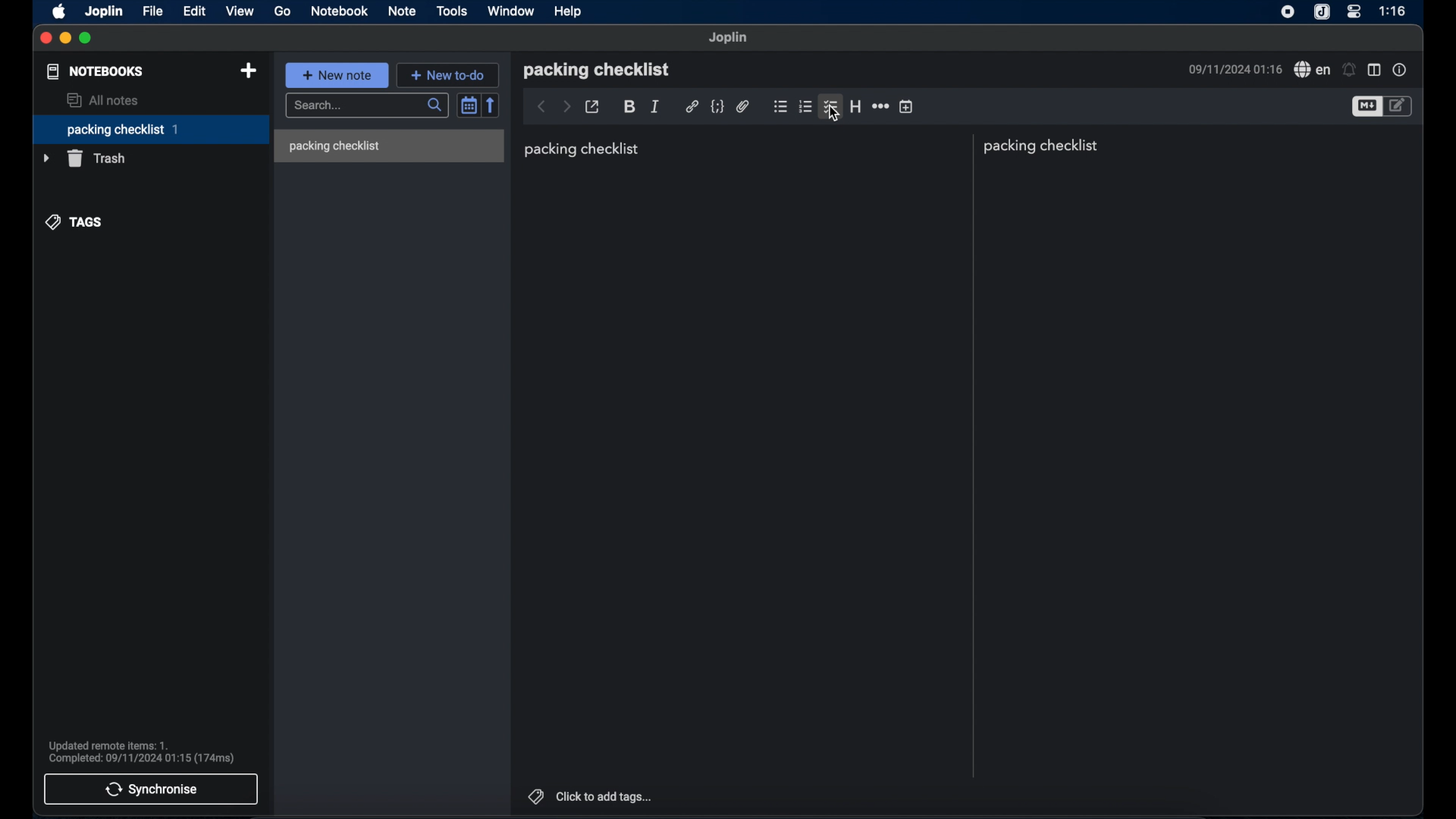 The image size is (1456, 819). What do you see at coordinates (569, 11) in the screenshot?
I see `help` at bounding box center [569, 11].